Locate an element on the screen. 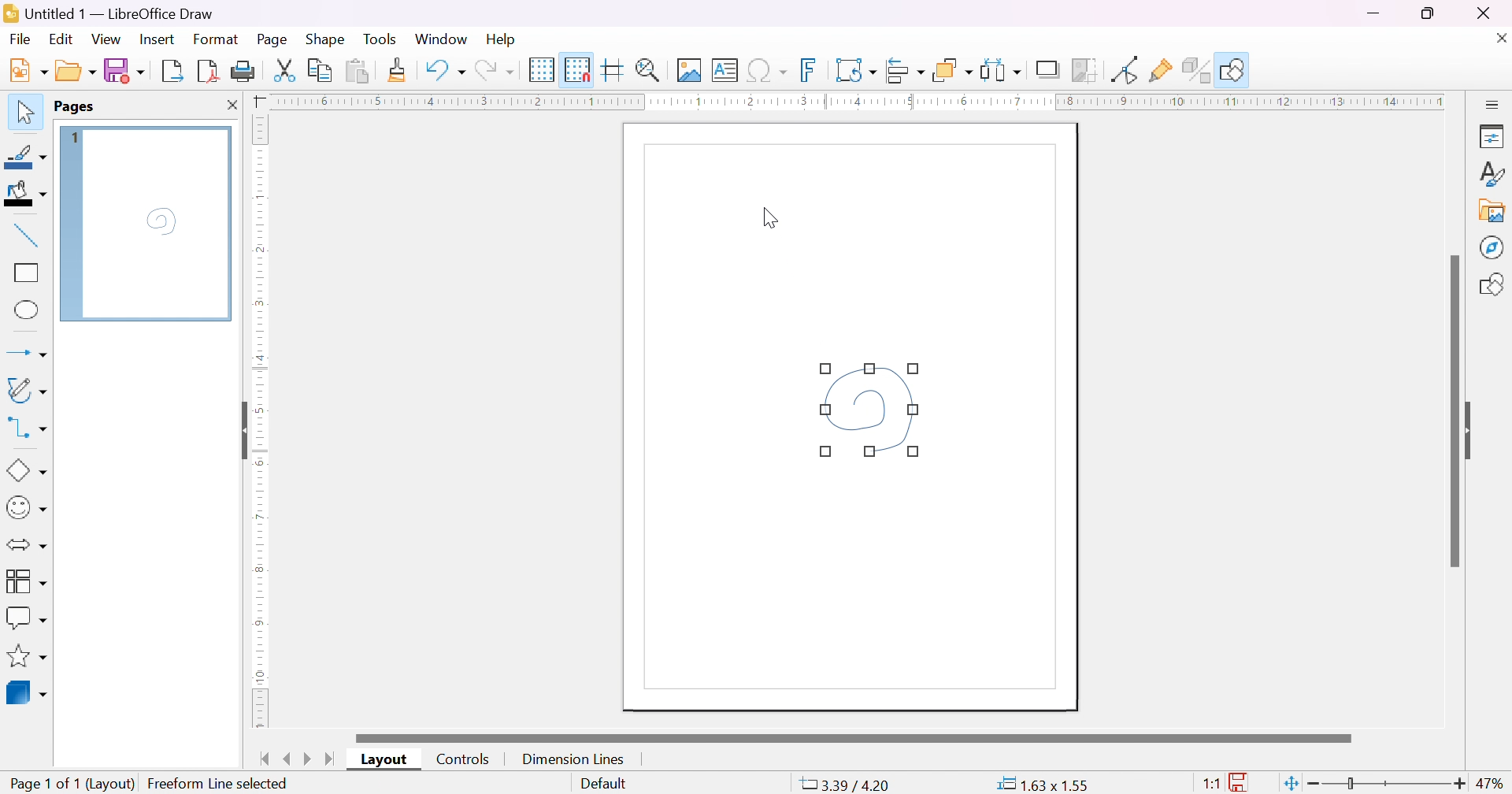 The width and height of the screenshot is (1512, 794). redo is located at coordinates (492, 70).